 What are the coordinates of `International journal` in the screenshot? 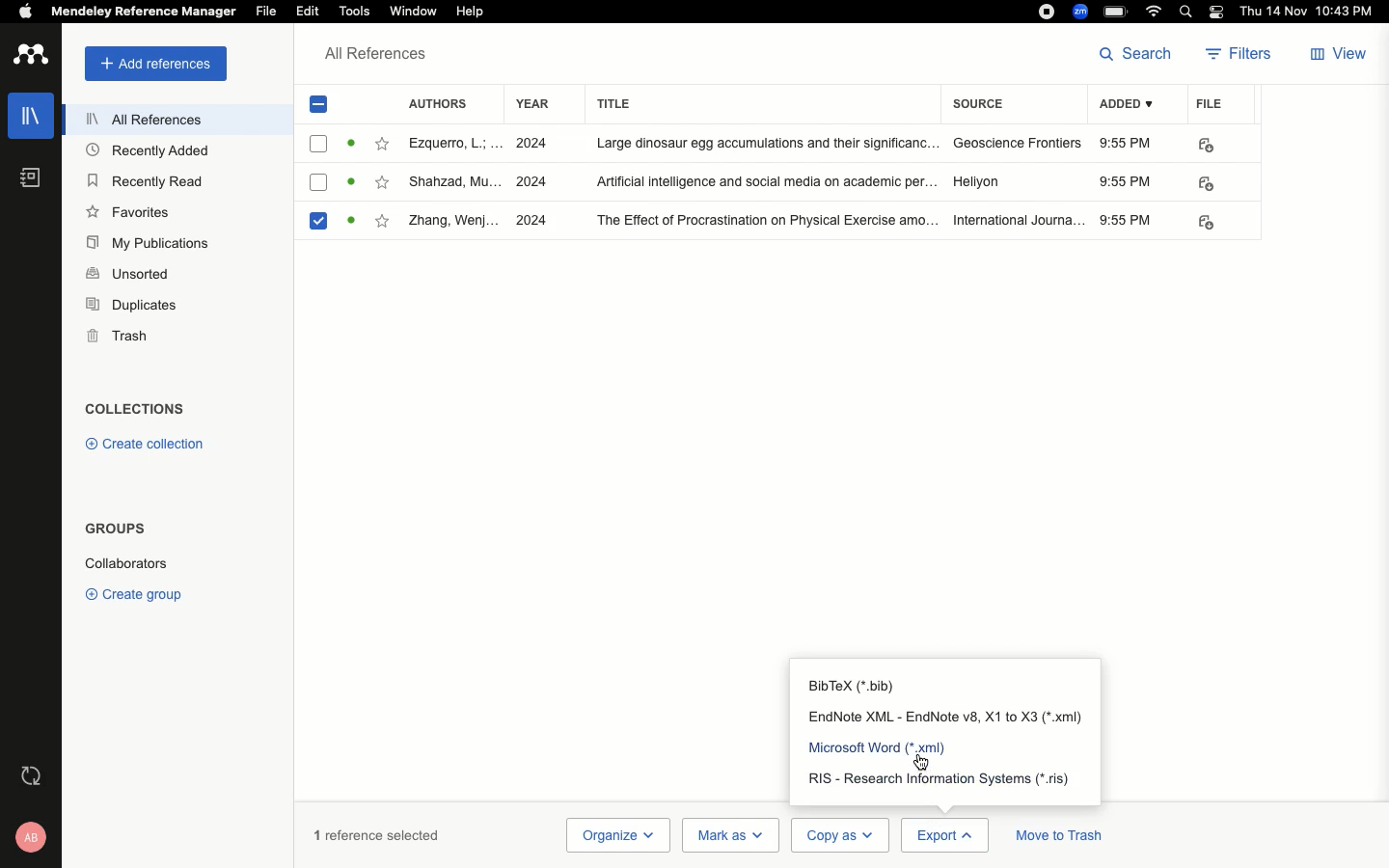 It's located at (1019, 220).